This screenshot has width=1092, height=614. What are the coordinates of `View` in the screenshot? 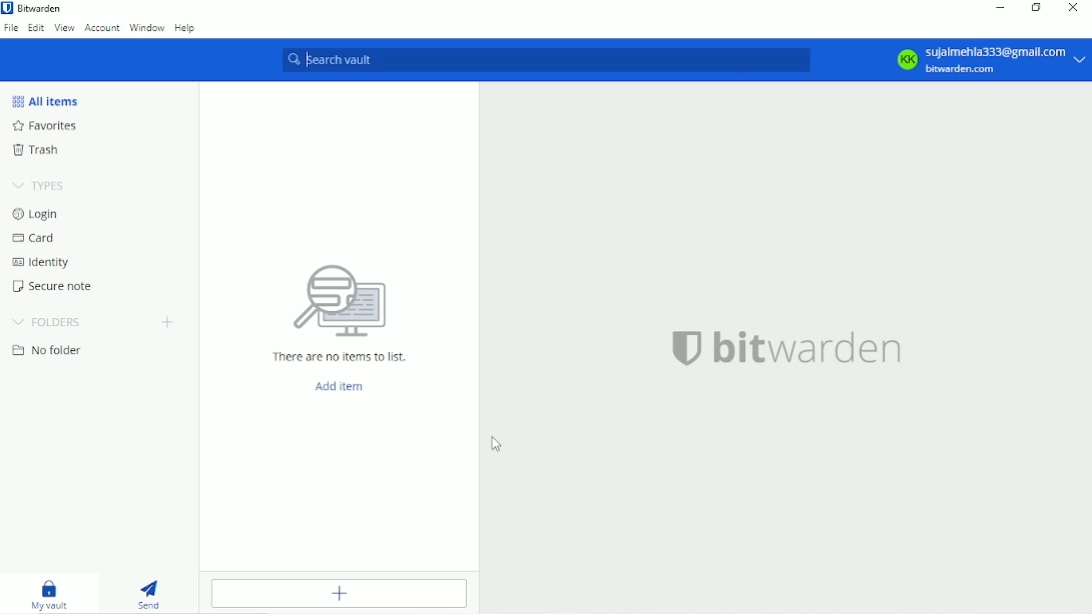 It's located at (64, 28).